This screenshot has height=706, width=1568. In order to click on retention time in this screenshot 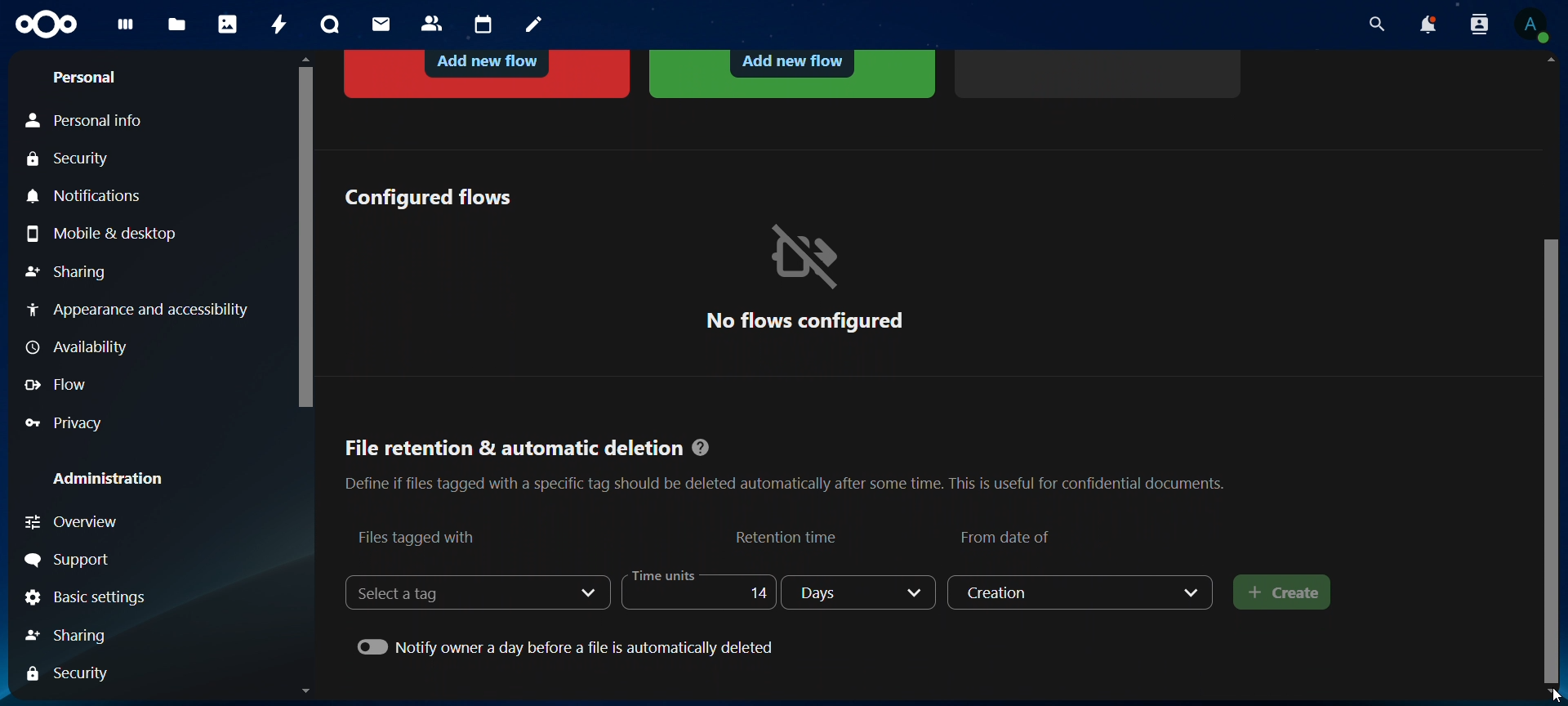, I will do `click(789, 537)`.